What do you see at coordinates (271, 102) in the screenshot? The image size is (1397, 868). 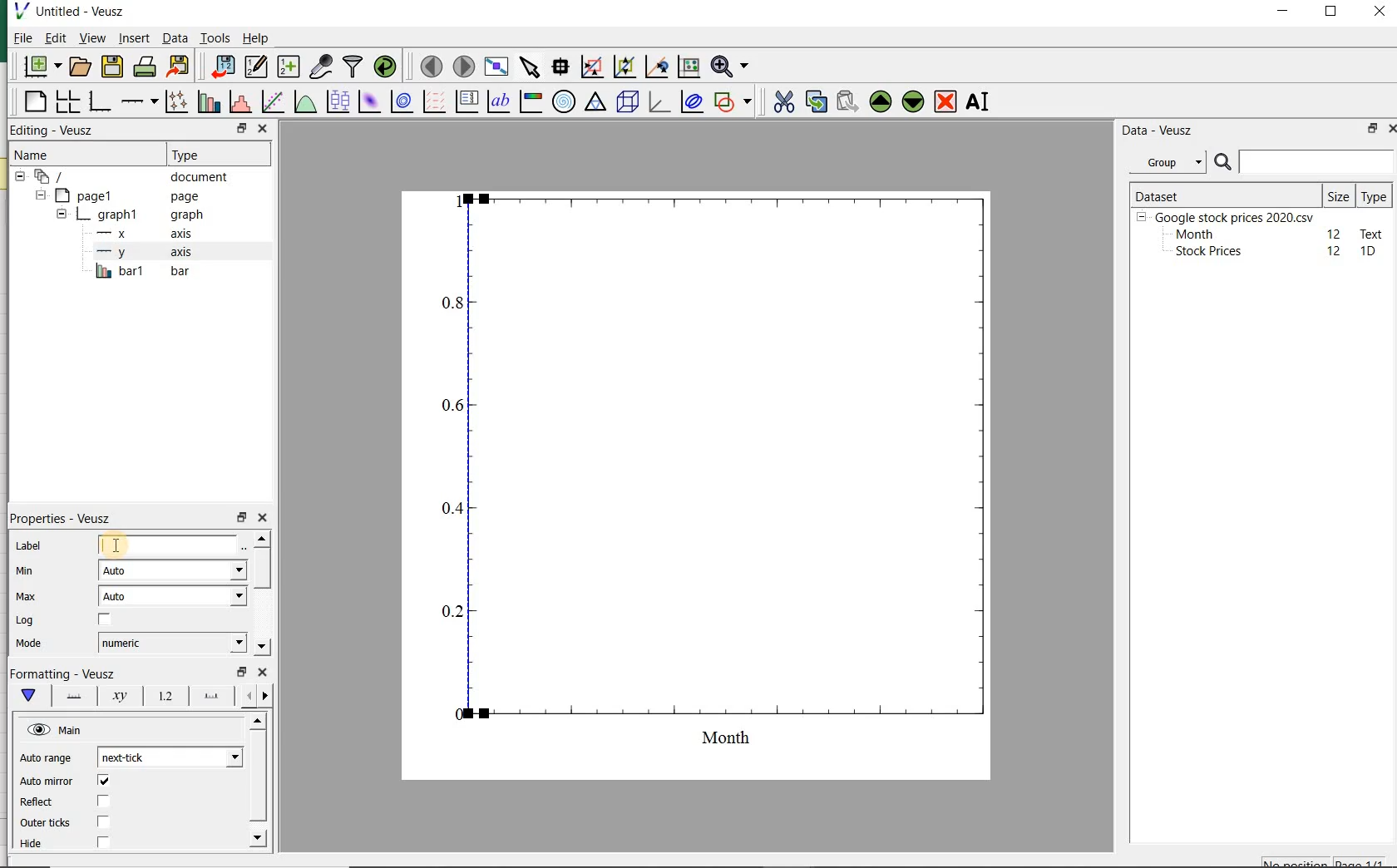 I see `fit a function to data` at bounding box center [271, 102].